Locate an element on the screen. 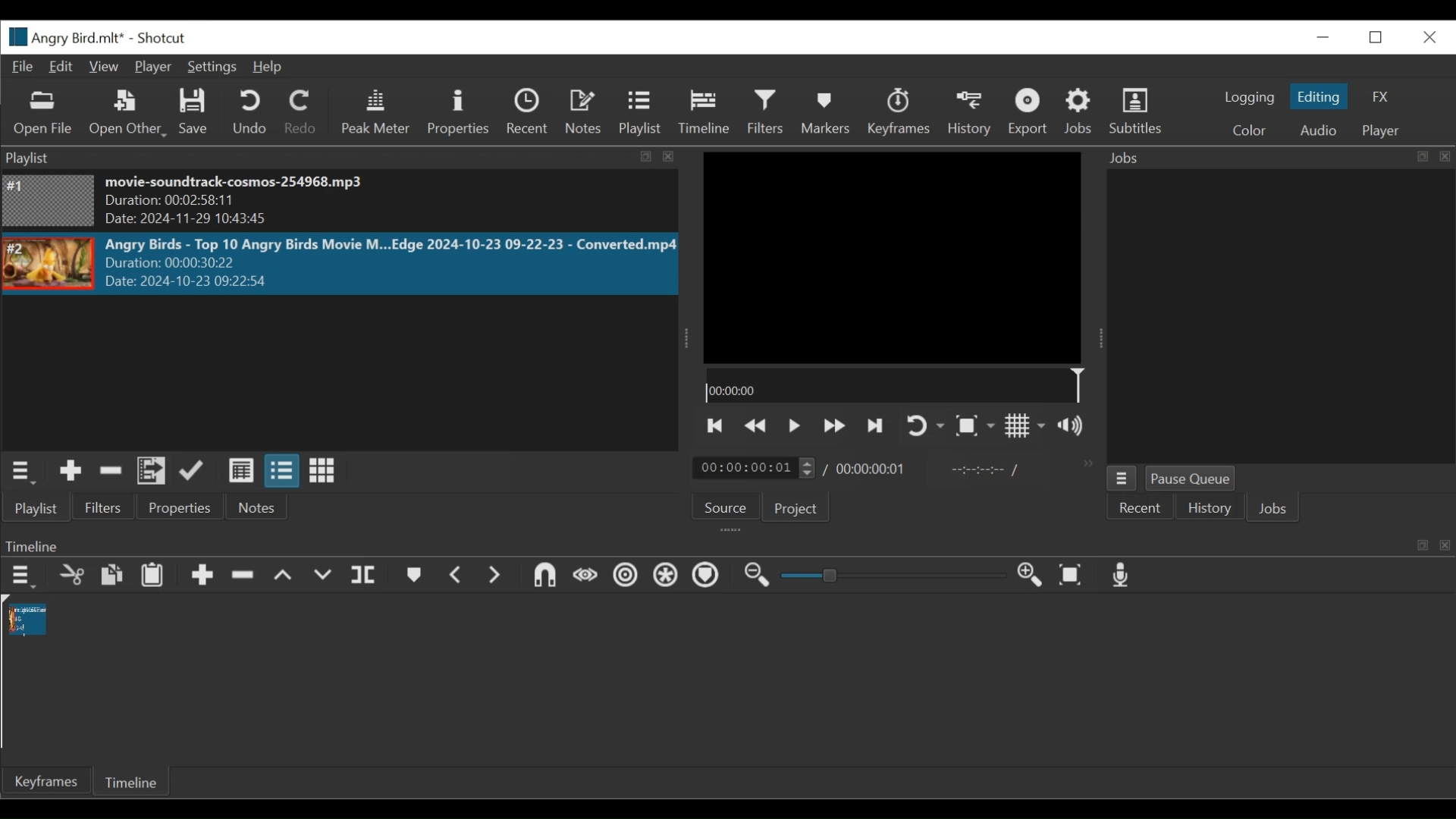 The width and height of the screenshot is (1456, 819). File Name is located at coordinates (65, 36).